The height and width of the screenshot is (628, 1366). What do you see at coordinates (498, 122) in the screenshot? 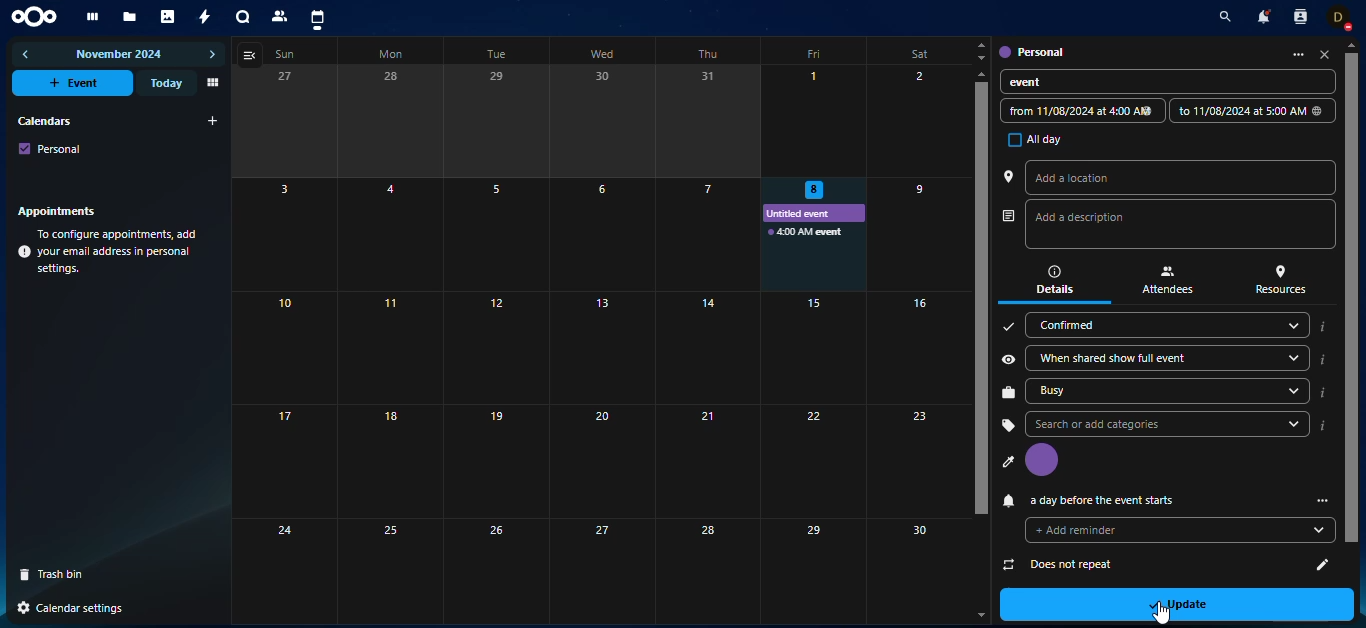
I see `29` at bounding box center [498, 122].